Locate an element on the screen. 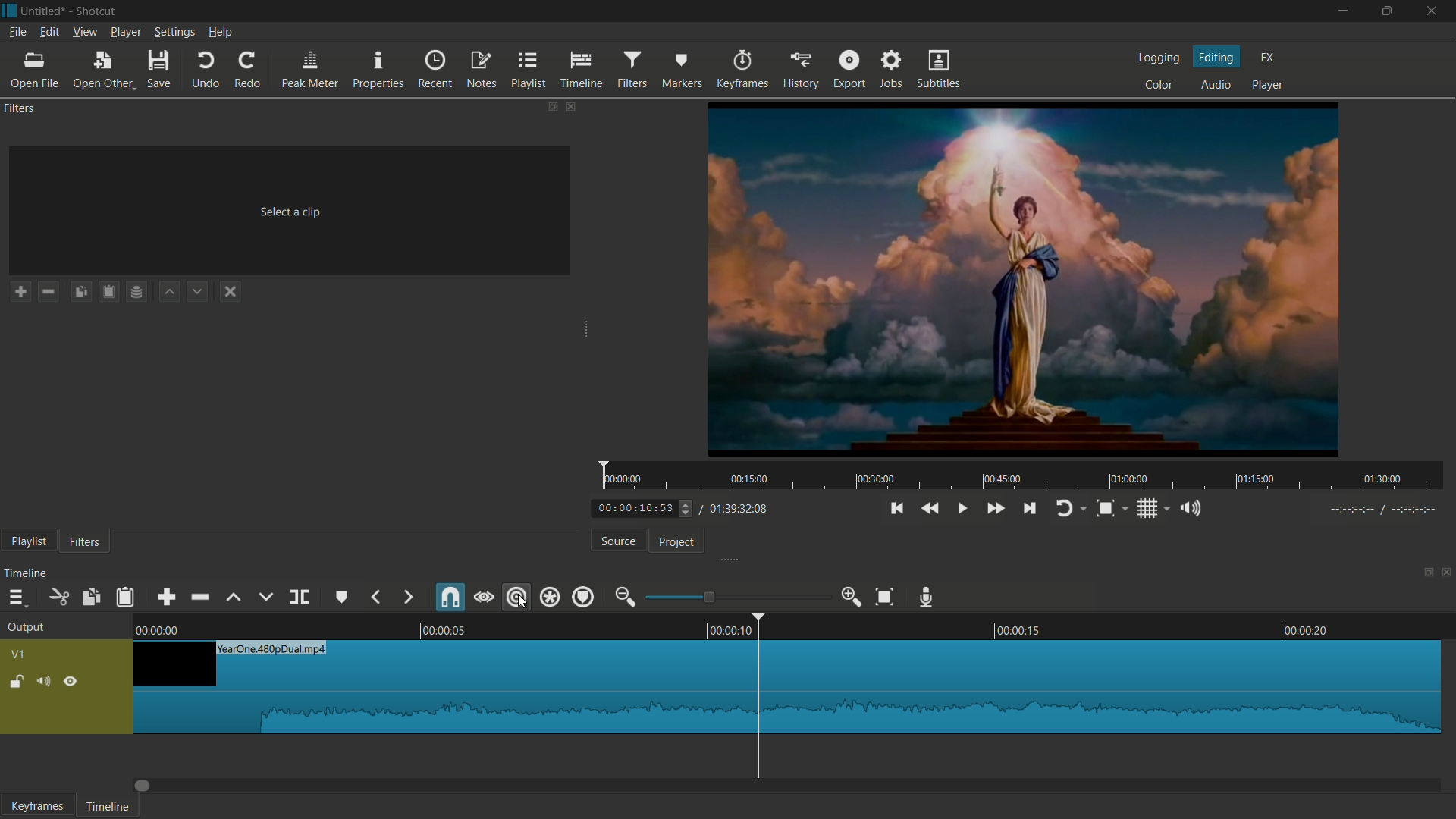 Image resolution: width=1456 pixels, height=819 pixels. skip to the next point is located at coordinates (1029, 509).